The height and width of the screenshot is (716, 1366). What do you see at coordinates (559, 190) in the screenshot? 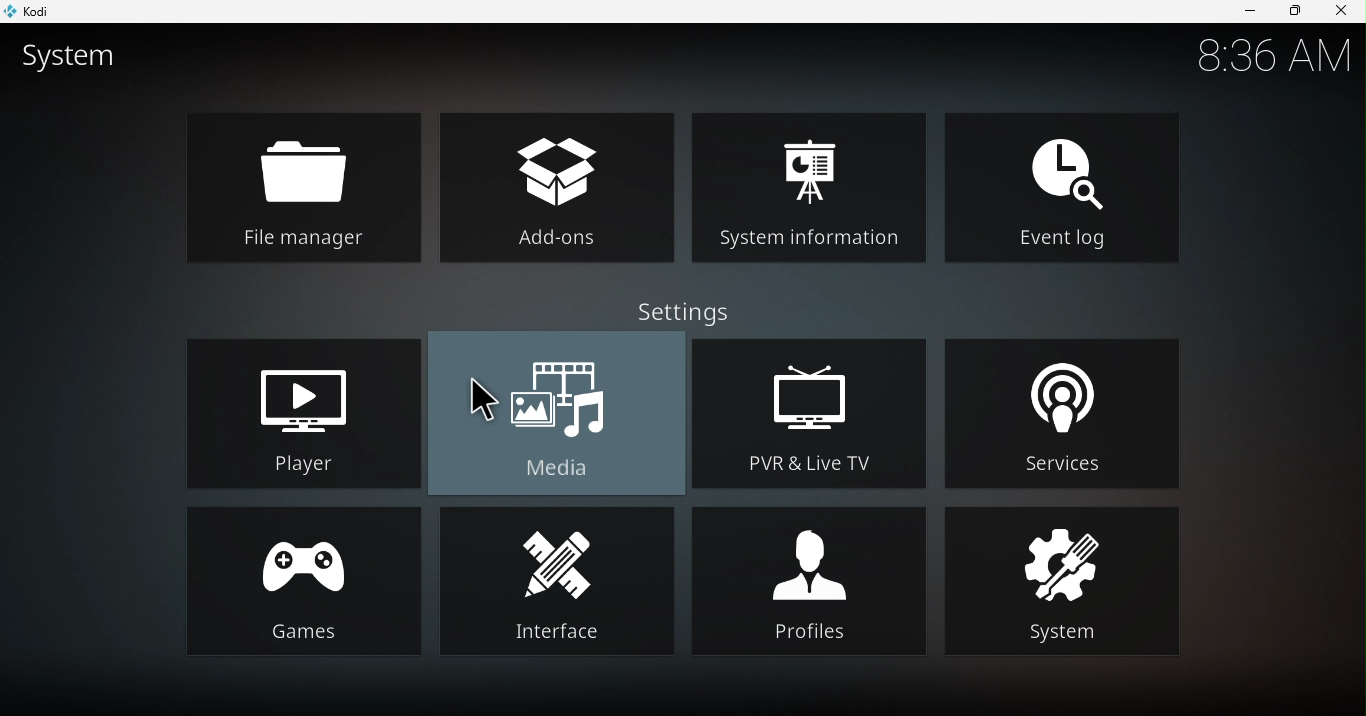
I see `Add-ons` at bounding box center [559, 190].